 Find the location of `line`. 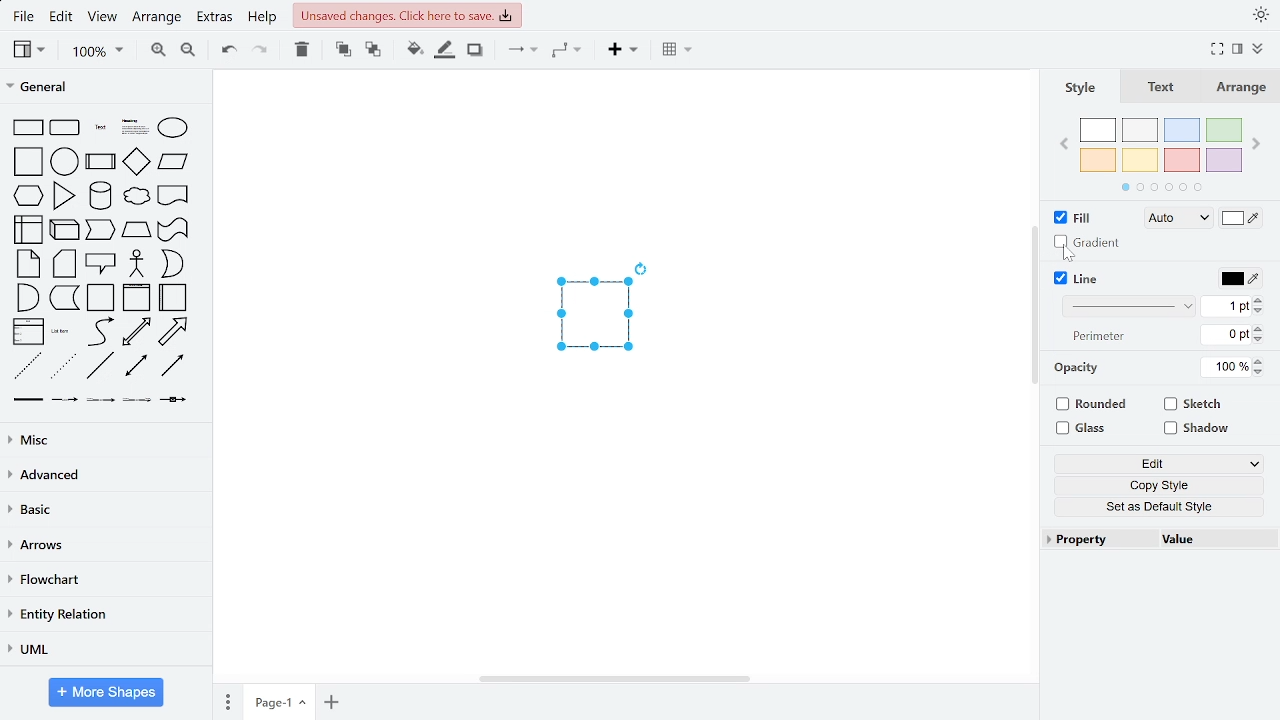

line is located at coordinates (1082, 279).